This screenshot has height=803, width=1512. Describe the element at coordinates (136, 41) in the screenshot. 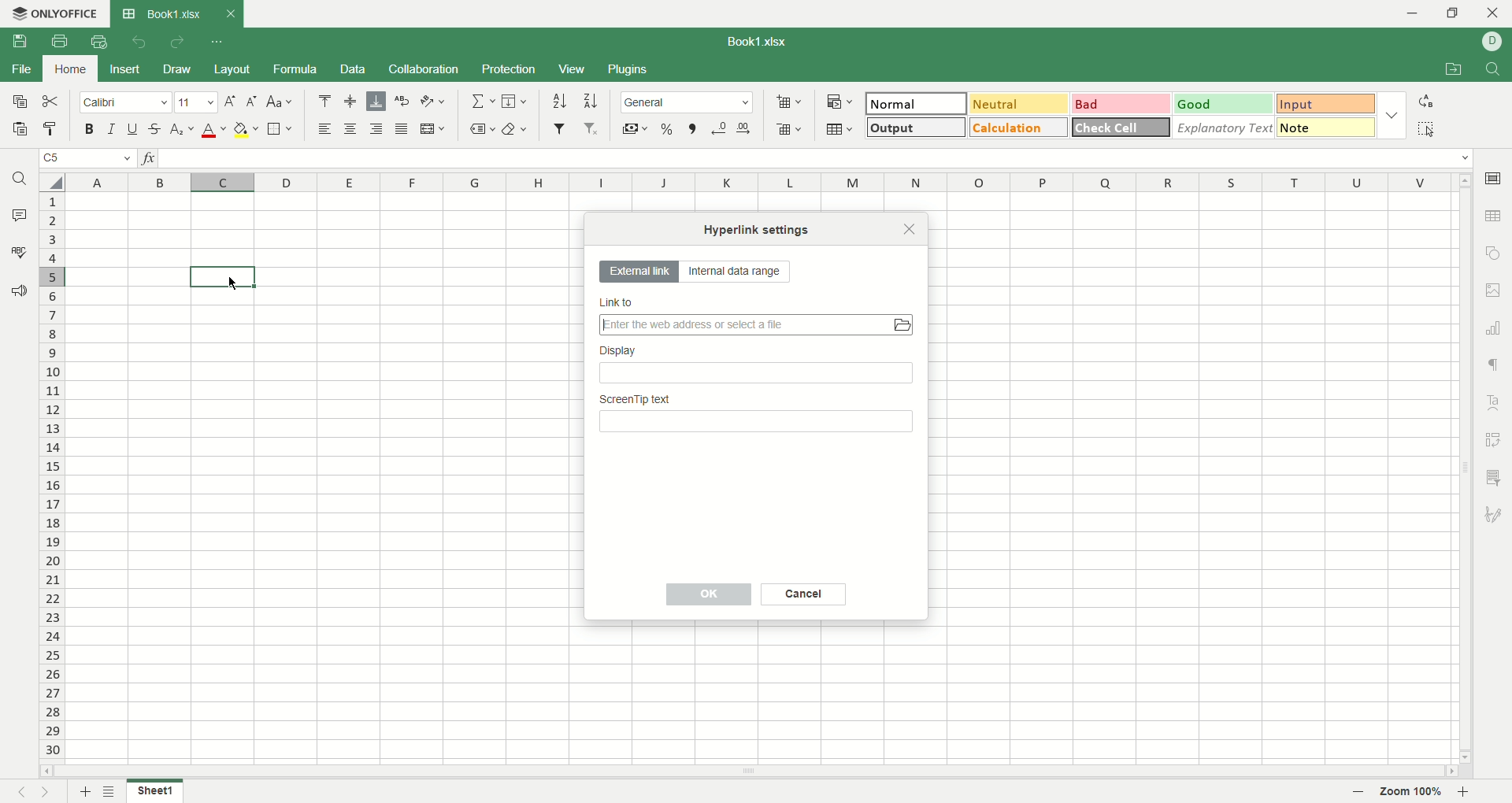

I see `undo` at that location.